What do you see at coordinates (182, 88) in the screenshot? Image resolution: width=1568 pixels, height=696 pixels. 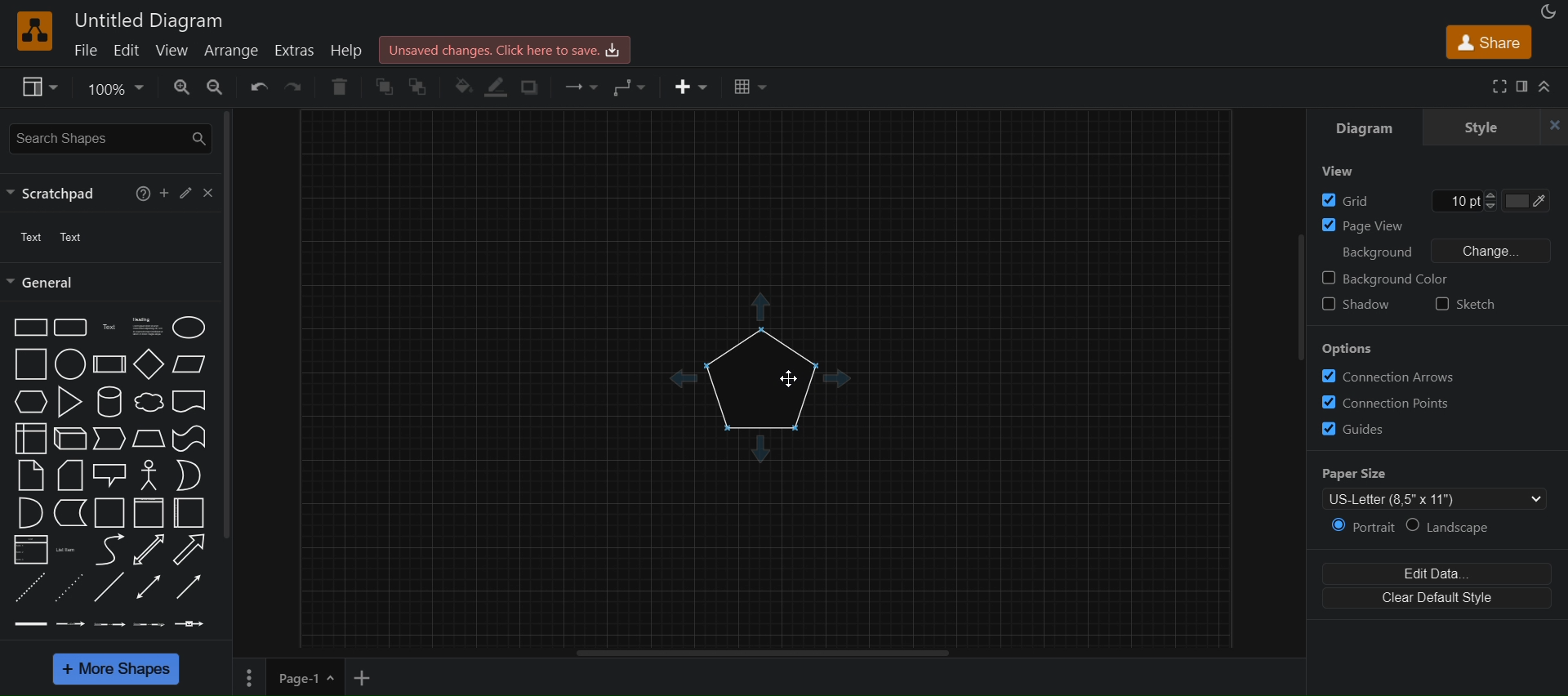 I see `zoom` at bounding box center [182, 88].